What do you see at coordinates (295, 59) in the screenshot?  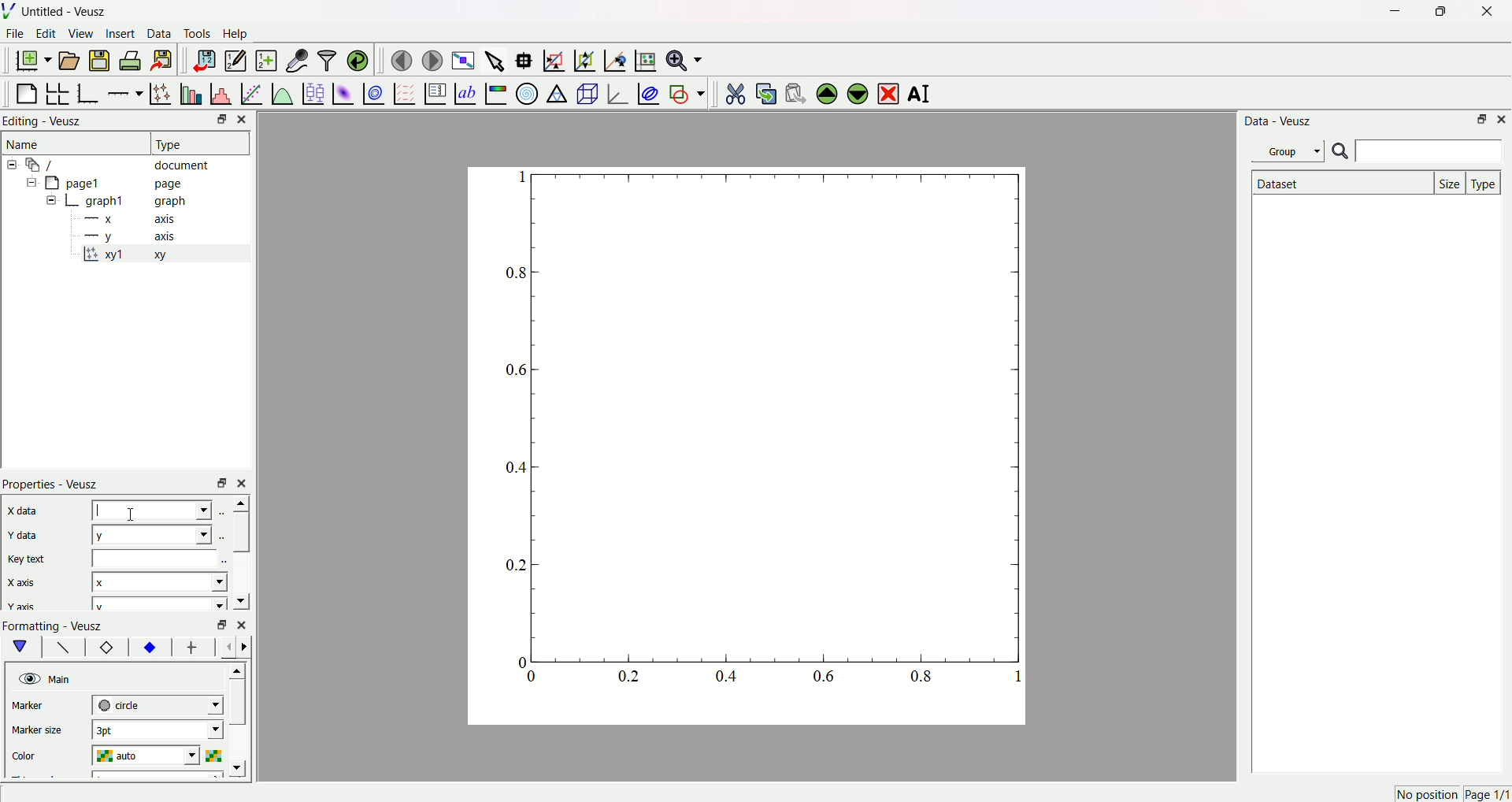 I see `capture remote datasets` at bounding box center [295, 59].